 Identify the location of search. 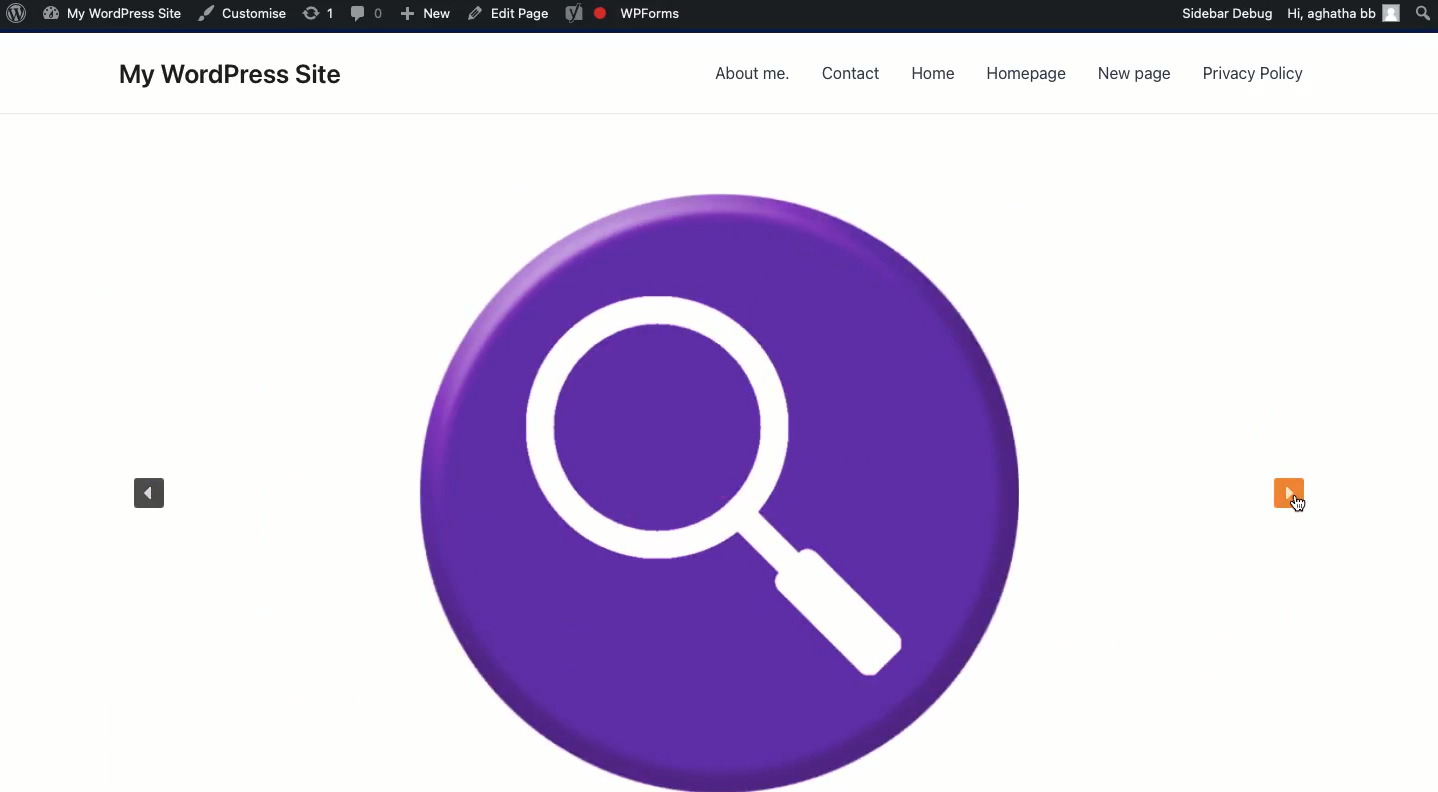
(1423, 14).